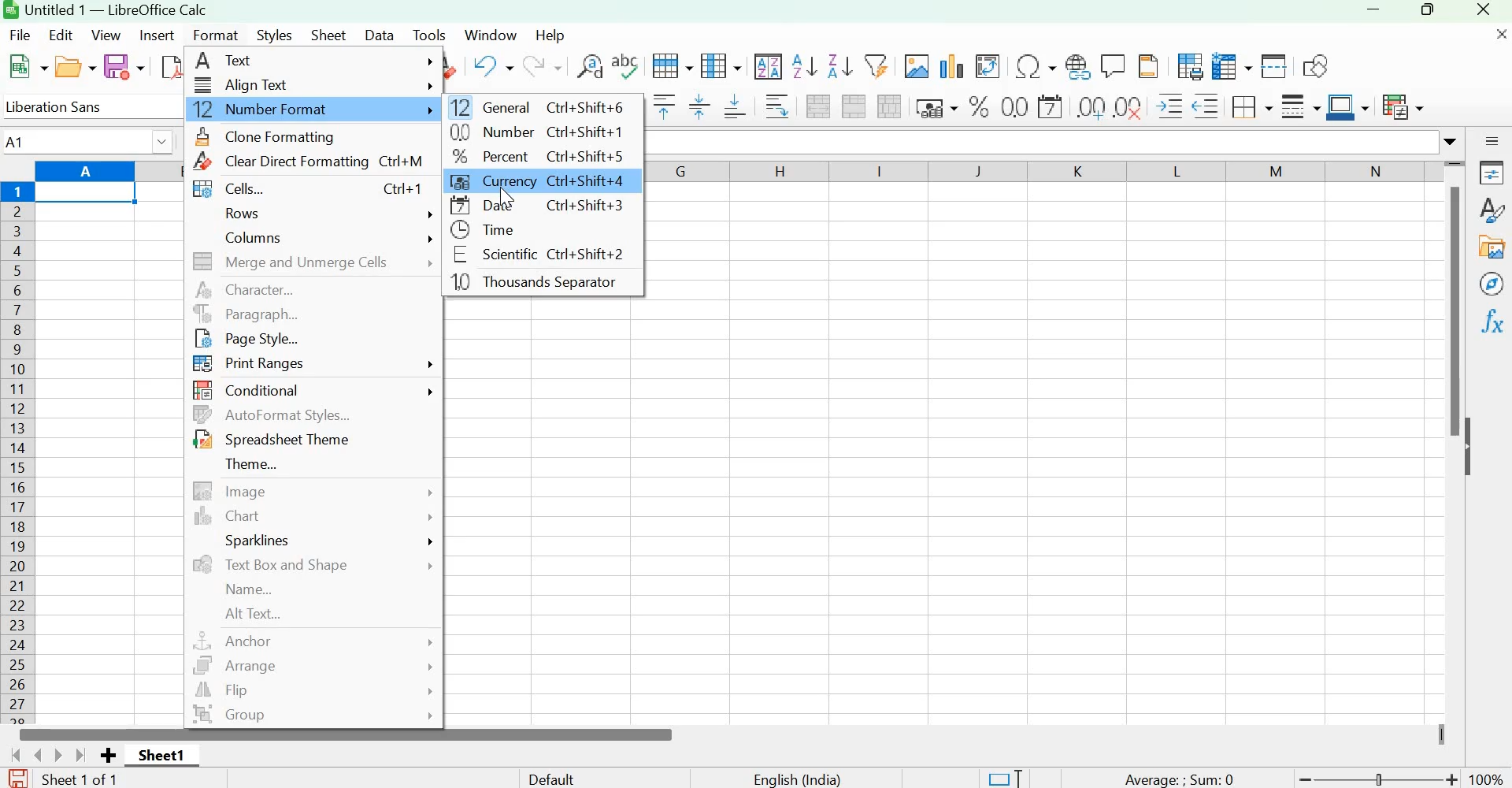  Describe the element at coordinates (797, 779) in the screenshot. I see `English(India)` at that location.